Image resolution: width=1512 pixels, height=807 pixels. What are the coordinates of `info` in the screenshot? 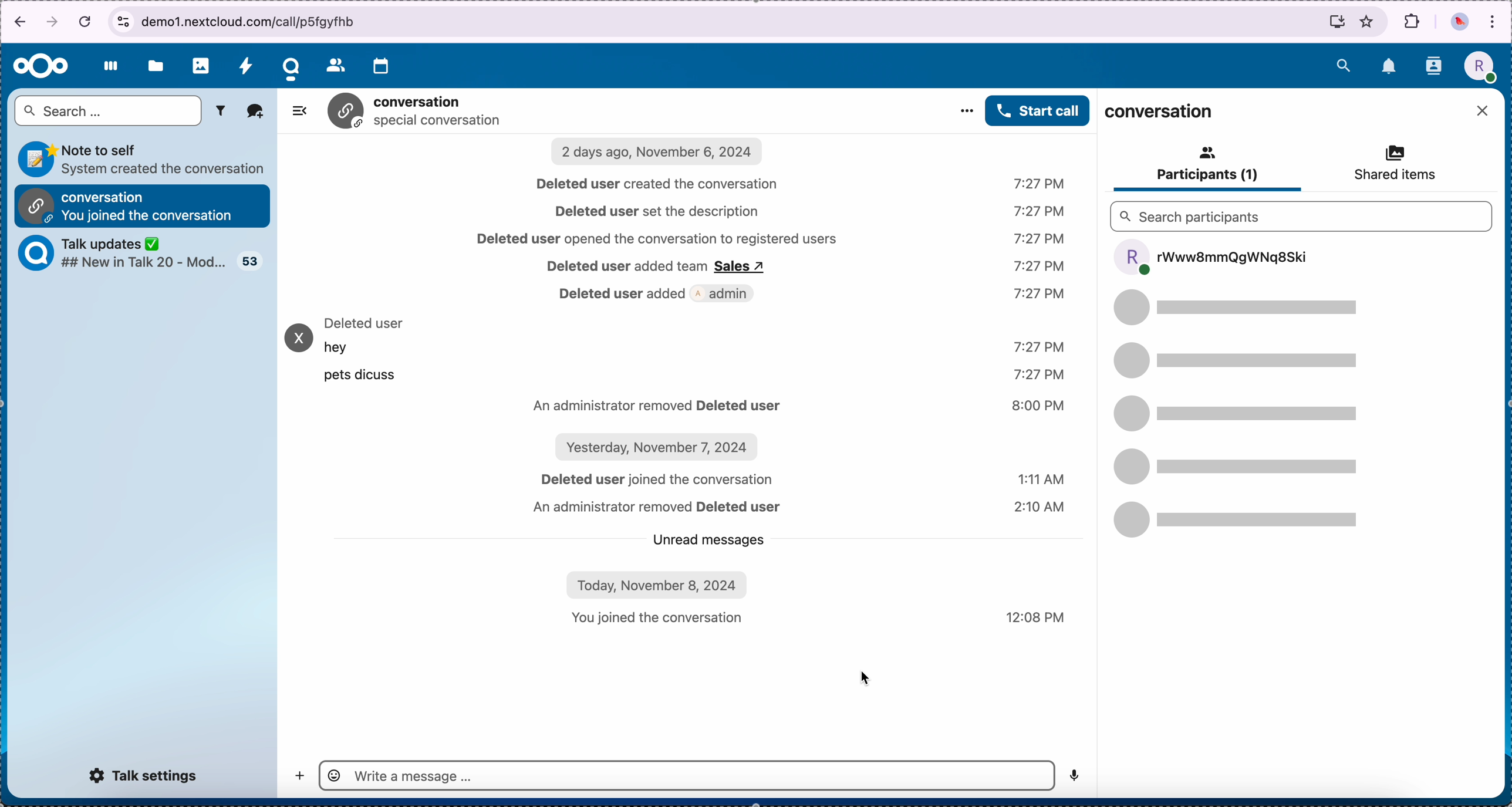 It's located at (685, 501).